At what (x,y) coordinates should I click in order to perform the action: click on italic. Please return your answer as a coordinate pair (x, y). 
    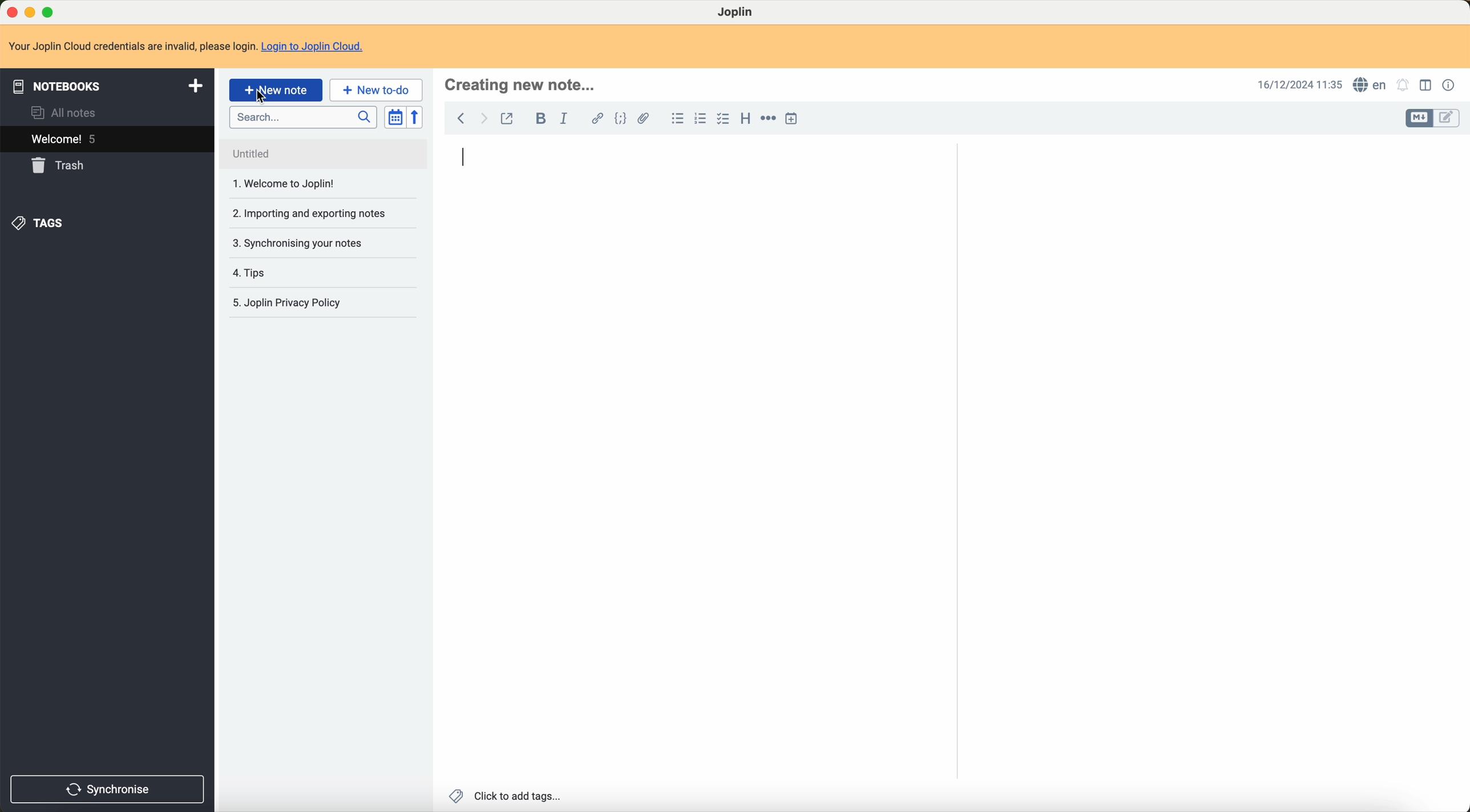
    Looking at the image, I should click on (565, 117).